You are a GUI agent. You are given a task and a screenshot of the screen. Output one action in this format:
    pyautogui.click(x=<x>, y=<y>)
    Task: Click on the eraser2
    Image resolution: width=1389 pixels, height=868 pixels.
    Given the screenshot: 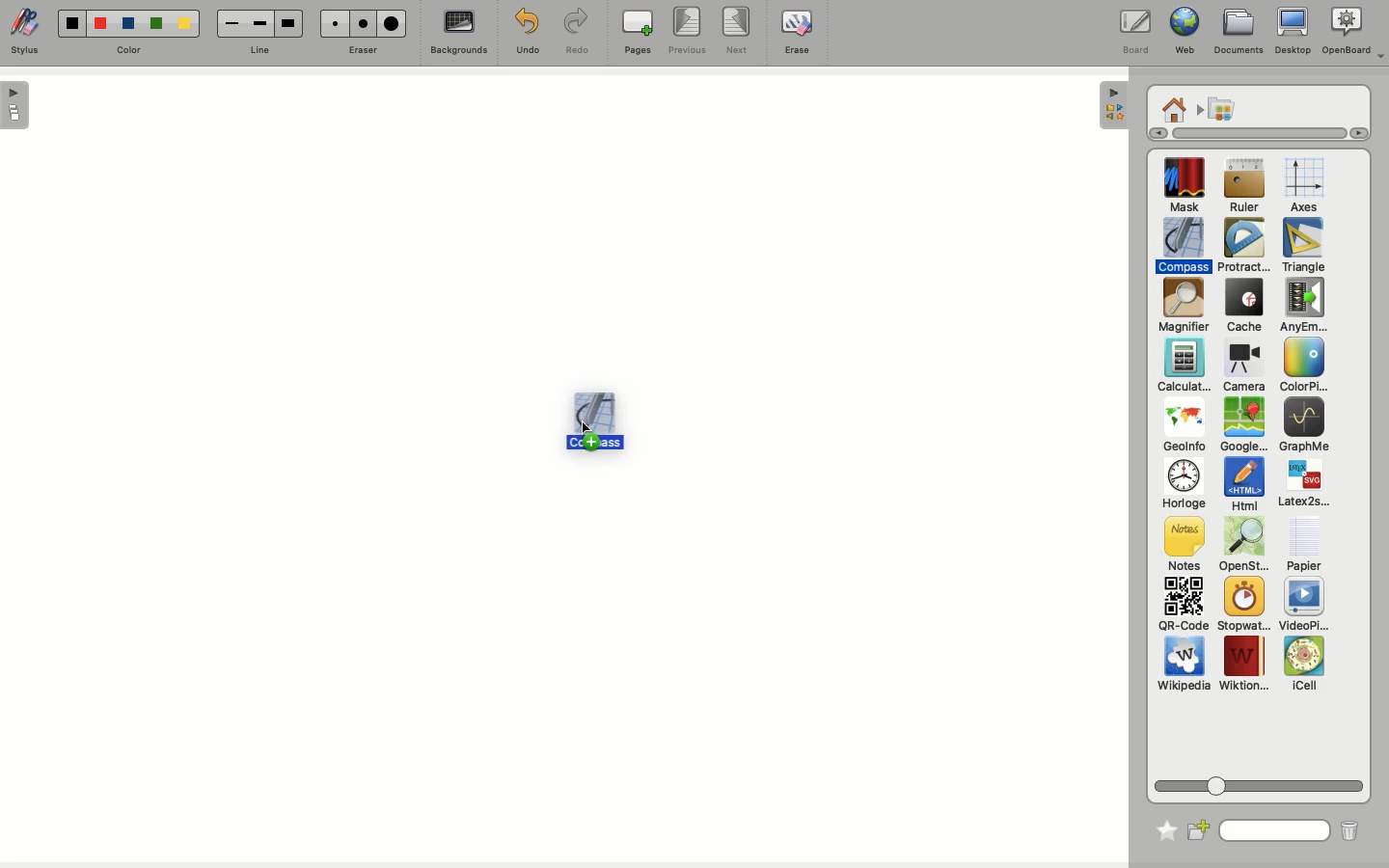 What is the action you would take?
    pyautogui.click(x=363, y=23)
    